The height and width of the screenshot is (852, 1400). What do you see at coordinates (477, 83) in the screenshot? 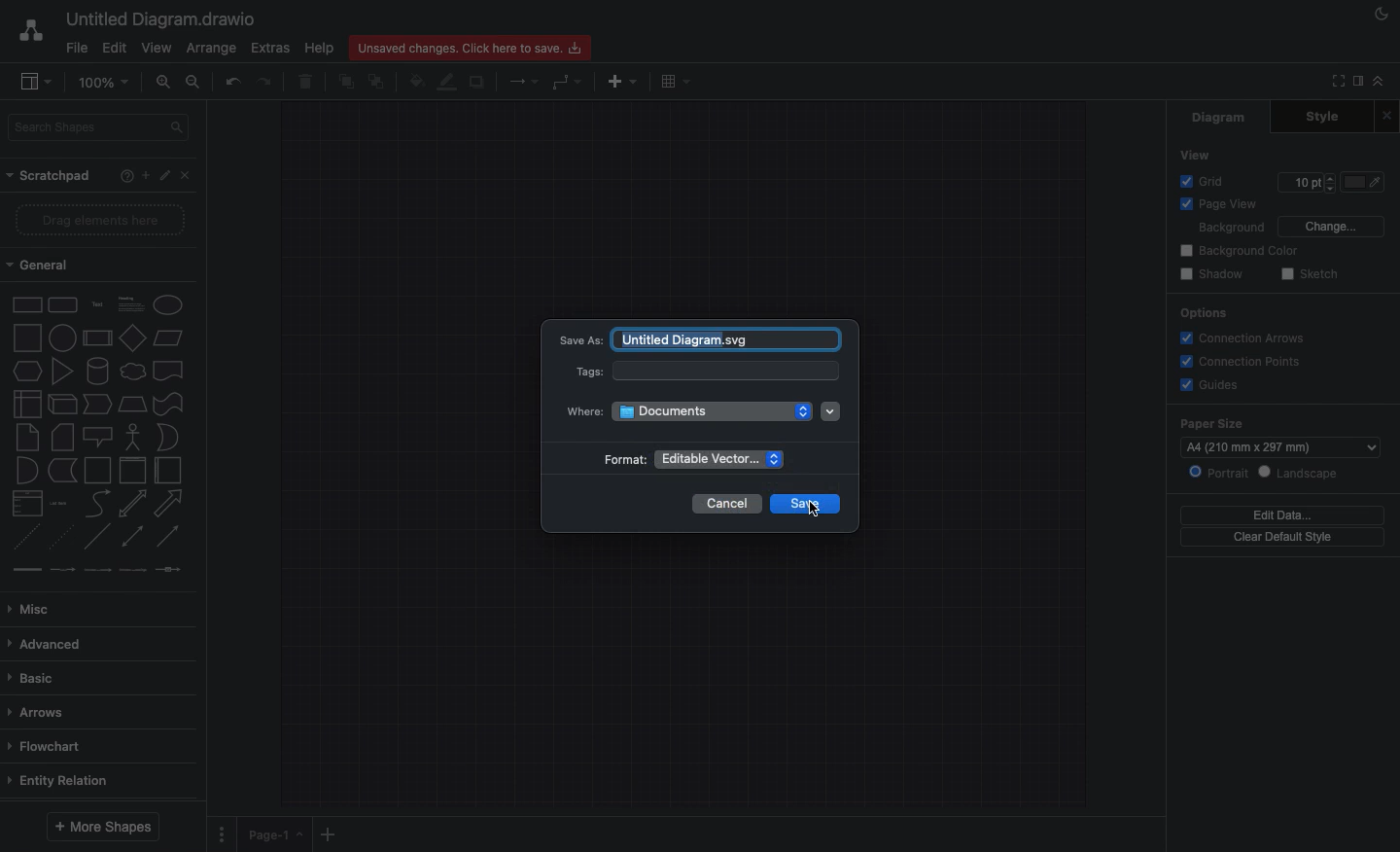
I see `Shadow` at bounding box center [477, 83].